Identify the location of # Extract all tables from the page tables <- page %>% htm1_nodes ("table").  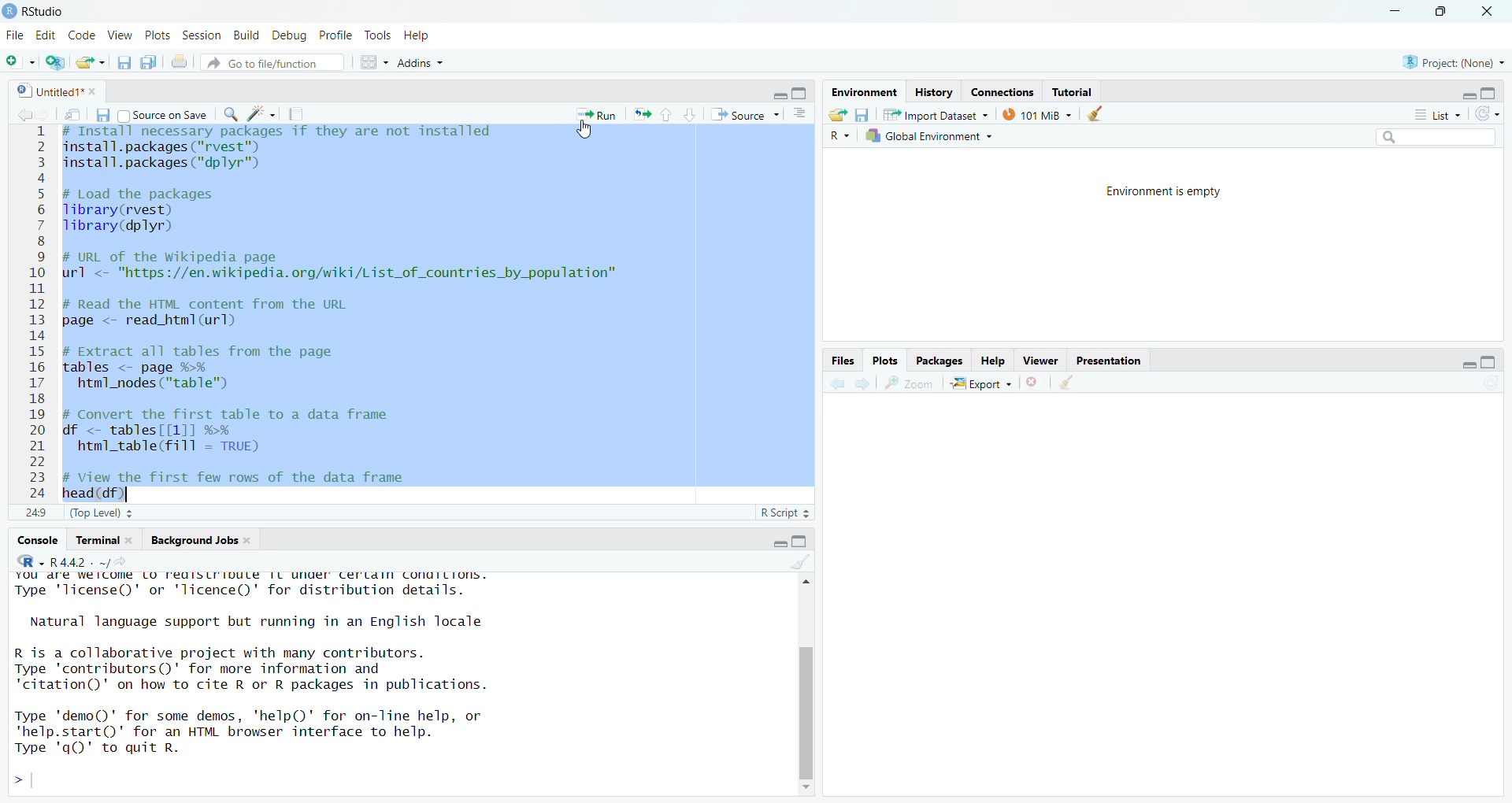
(212, 368).